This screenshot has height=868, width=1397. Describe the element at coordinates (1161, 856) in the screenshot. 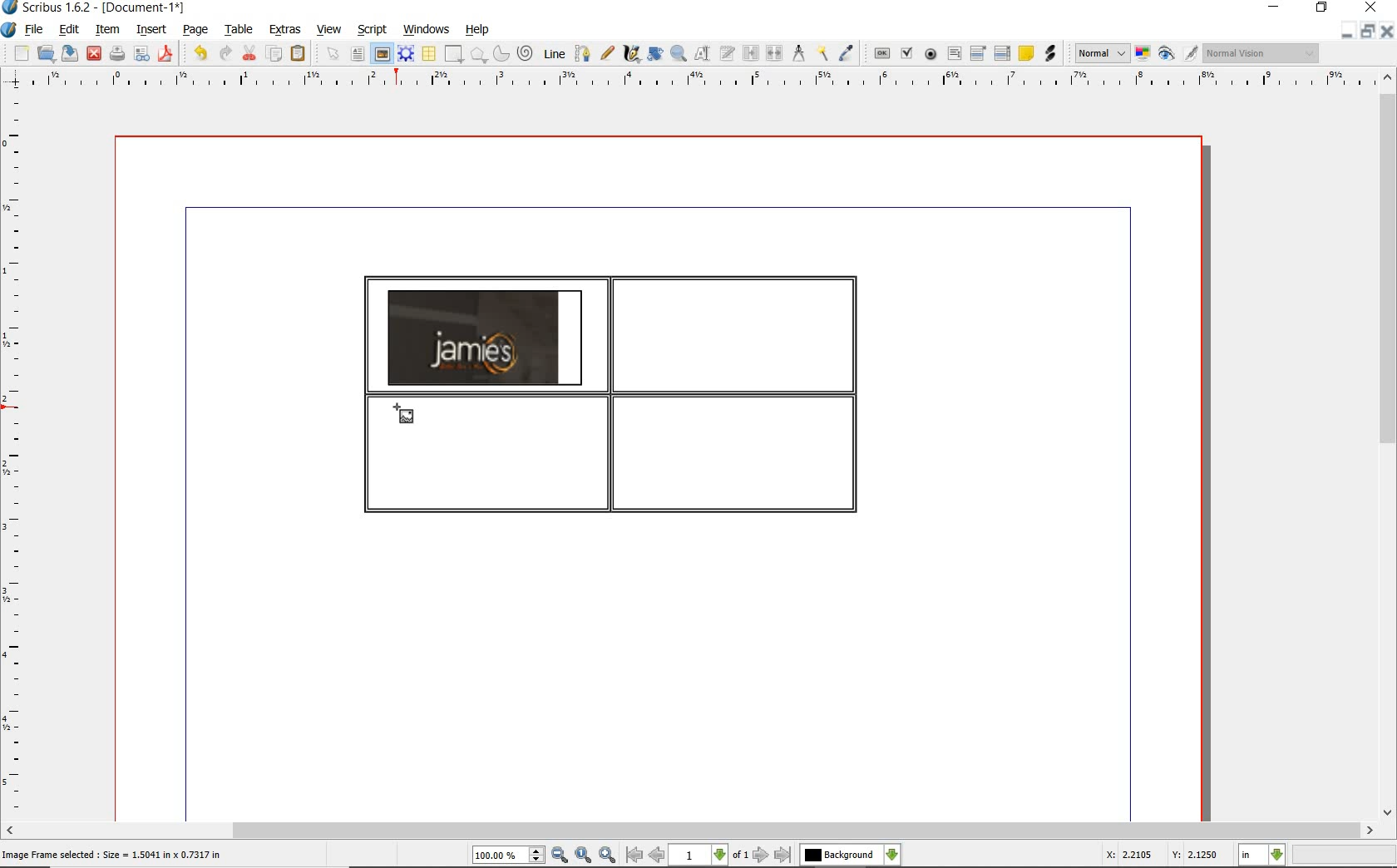

I see `X: 2.2105 Y: 2.1250` at that location.